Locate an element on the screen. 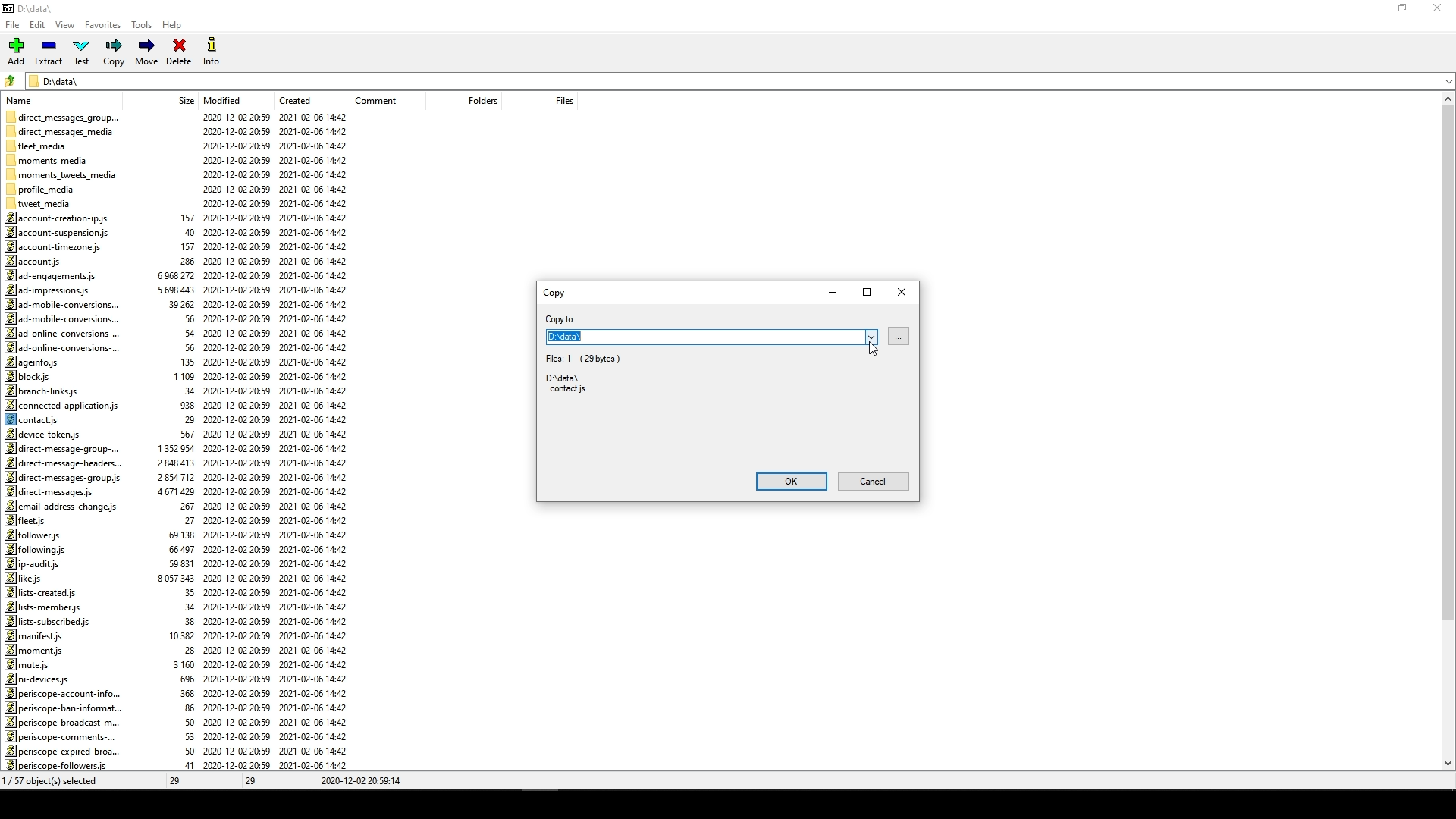  periscope-account-info is located at coordinates (67, 692).